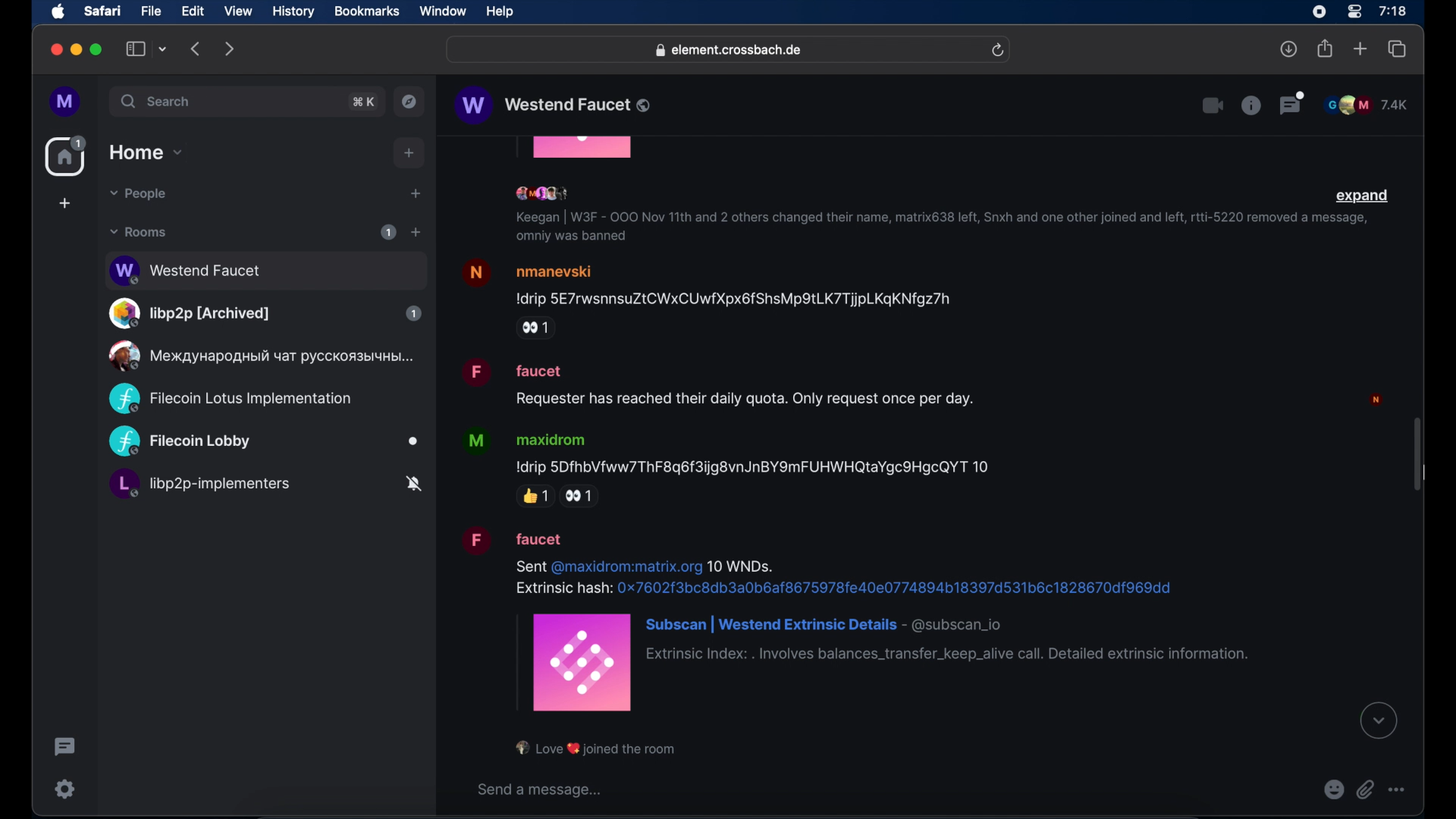  I want to click on web address, so click(730, 51).